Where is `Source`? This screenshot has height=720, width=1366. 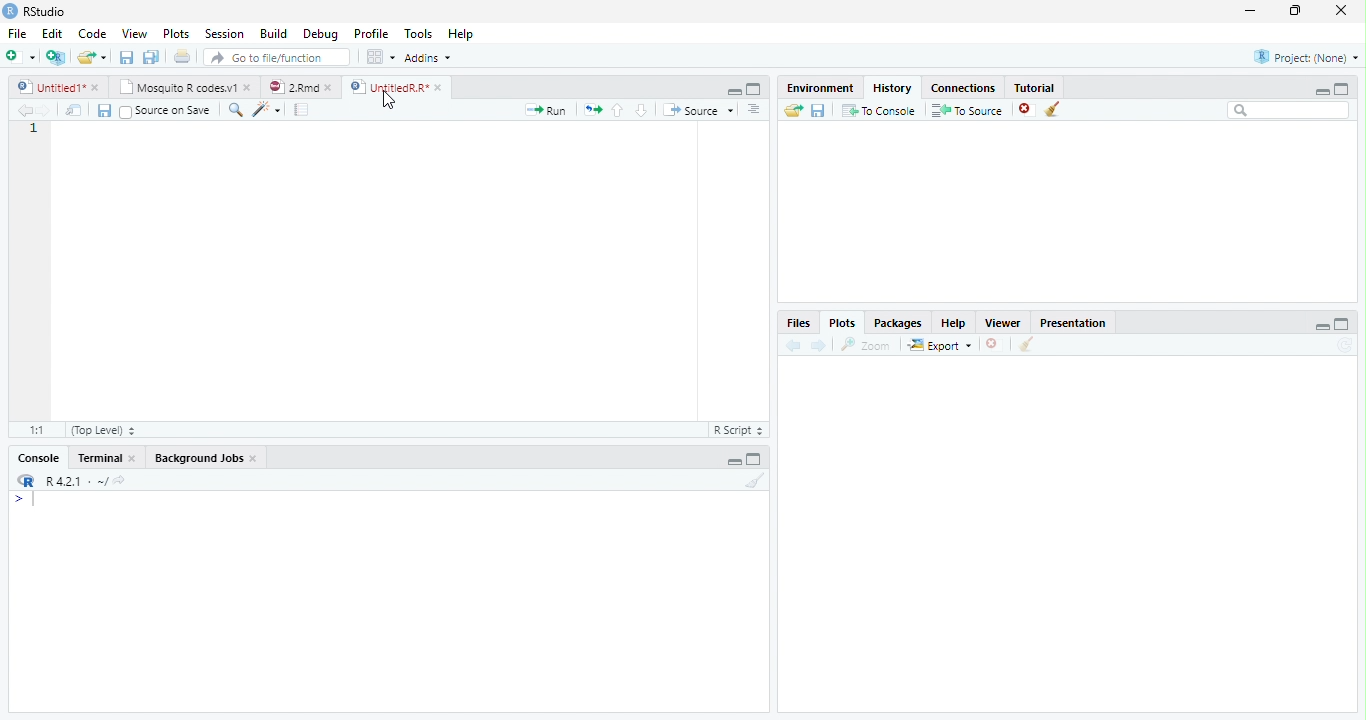 Source is located at coordinates (697, 110).